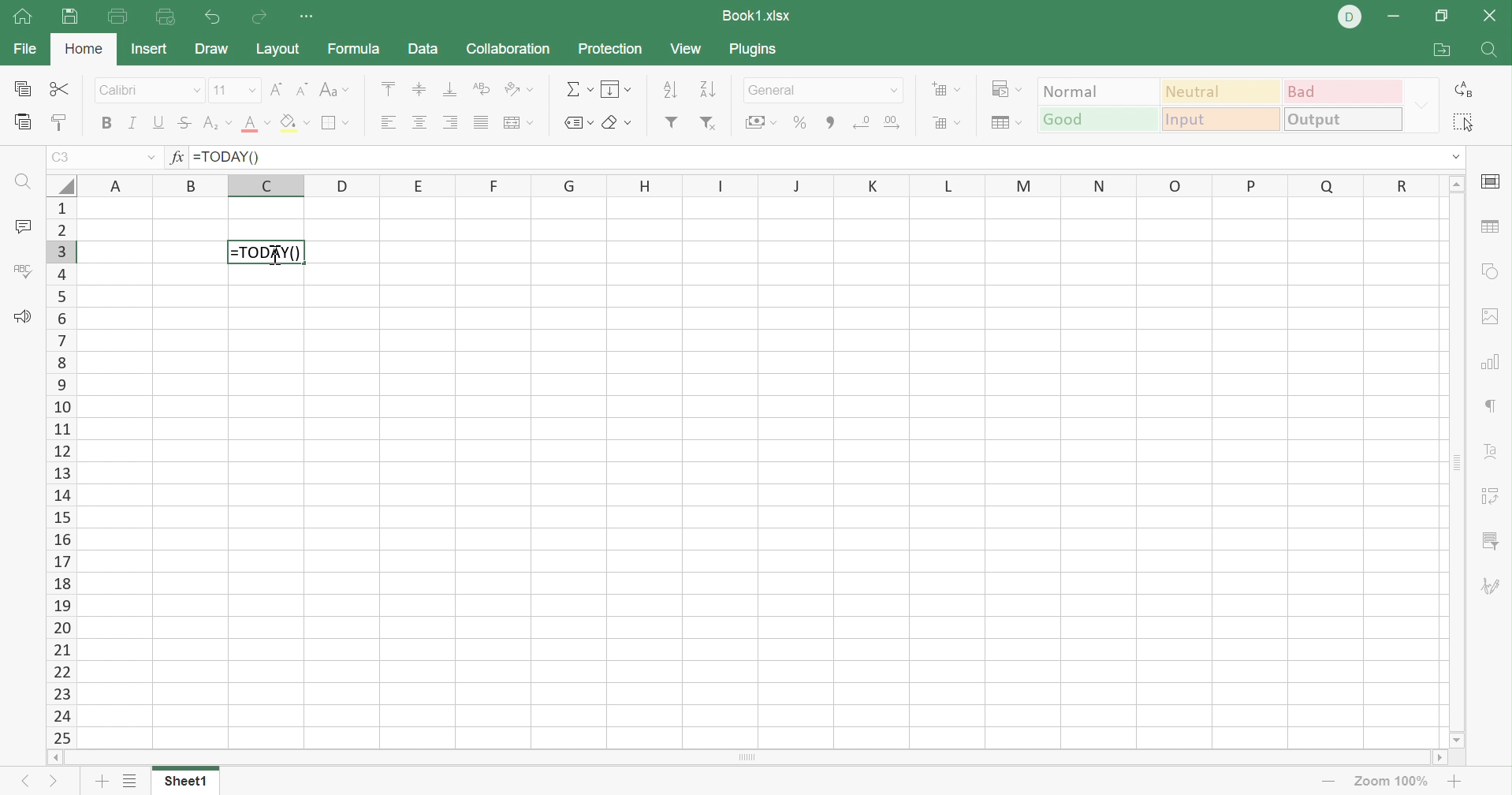  Describe the element at coordinates (58, 758) in the screenshot. I see `move left` at that location.